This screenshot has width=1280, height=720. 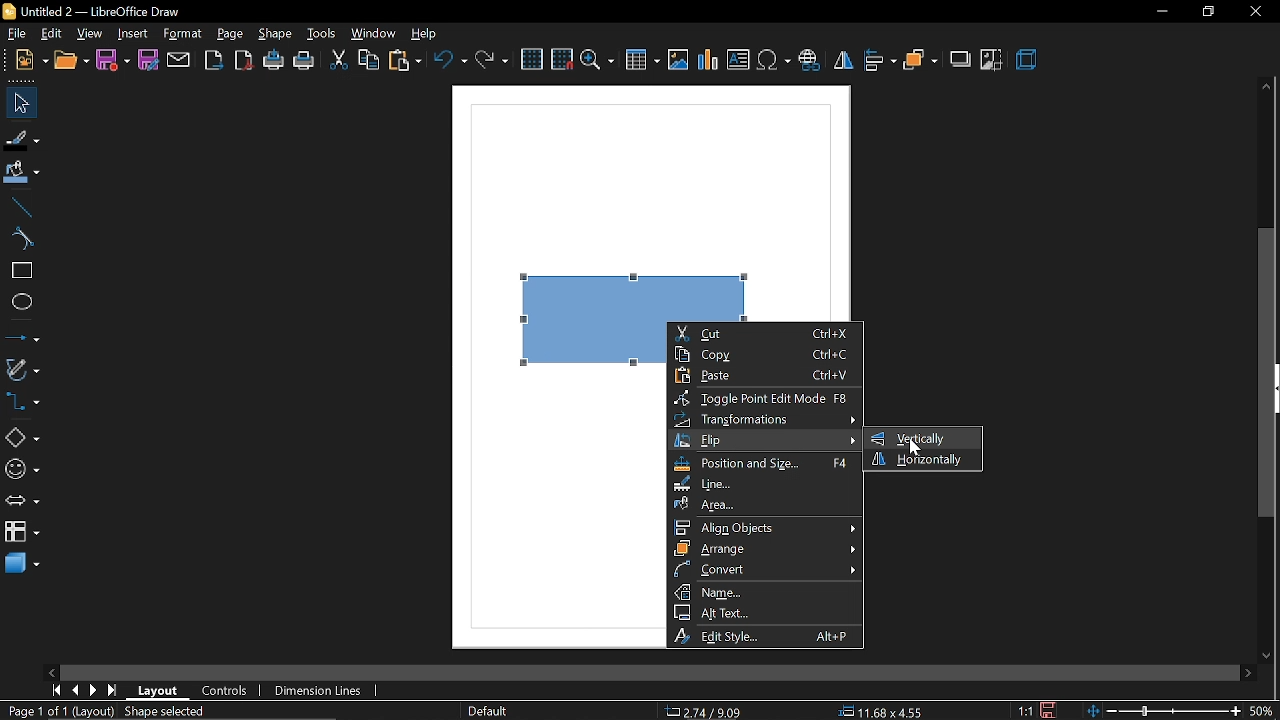 What do you see at coordinates (1256, 12) in the screenshot?
I see `close` at bounding box center [1256, 12].